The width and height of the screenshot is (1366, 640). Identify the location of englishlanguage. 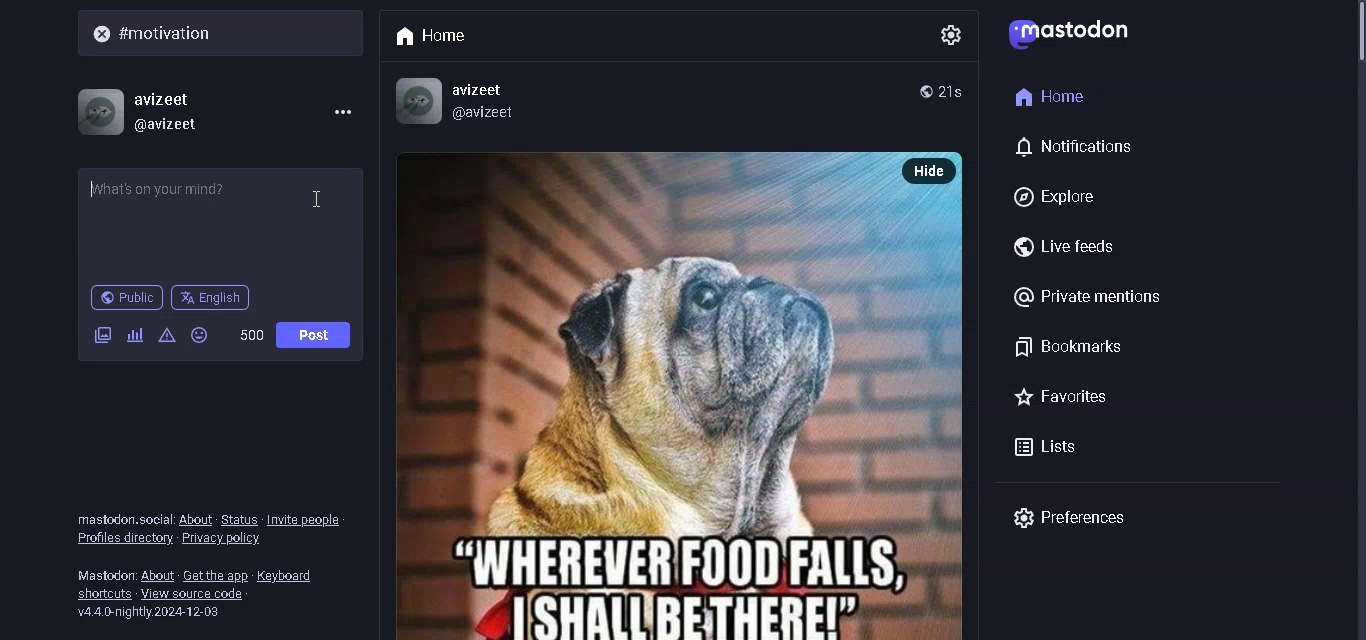
(210, 298).